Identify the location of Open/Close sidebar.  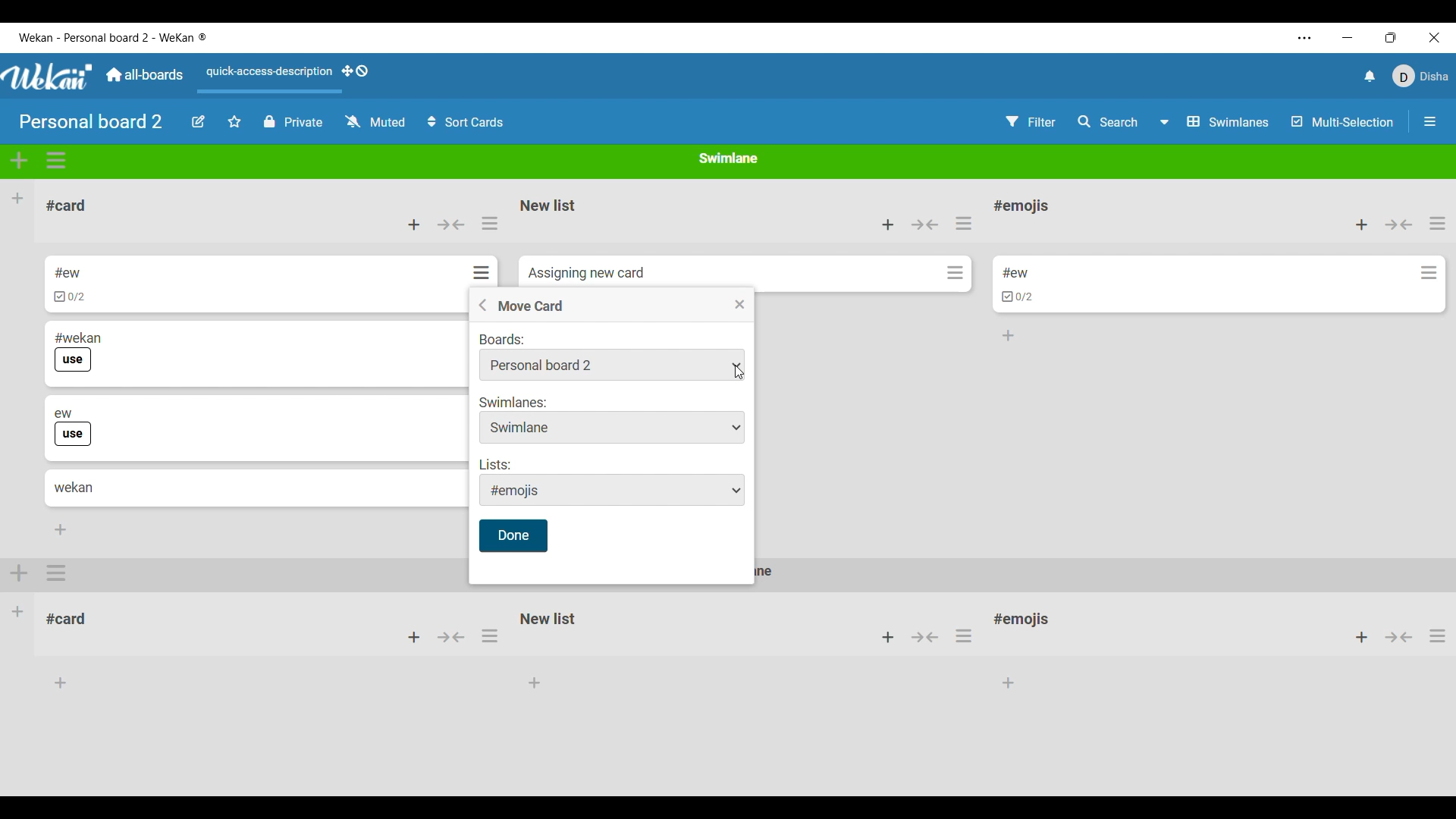
(1430, 121).